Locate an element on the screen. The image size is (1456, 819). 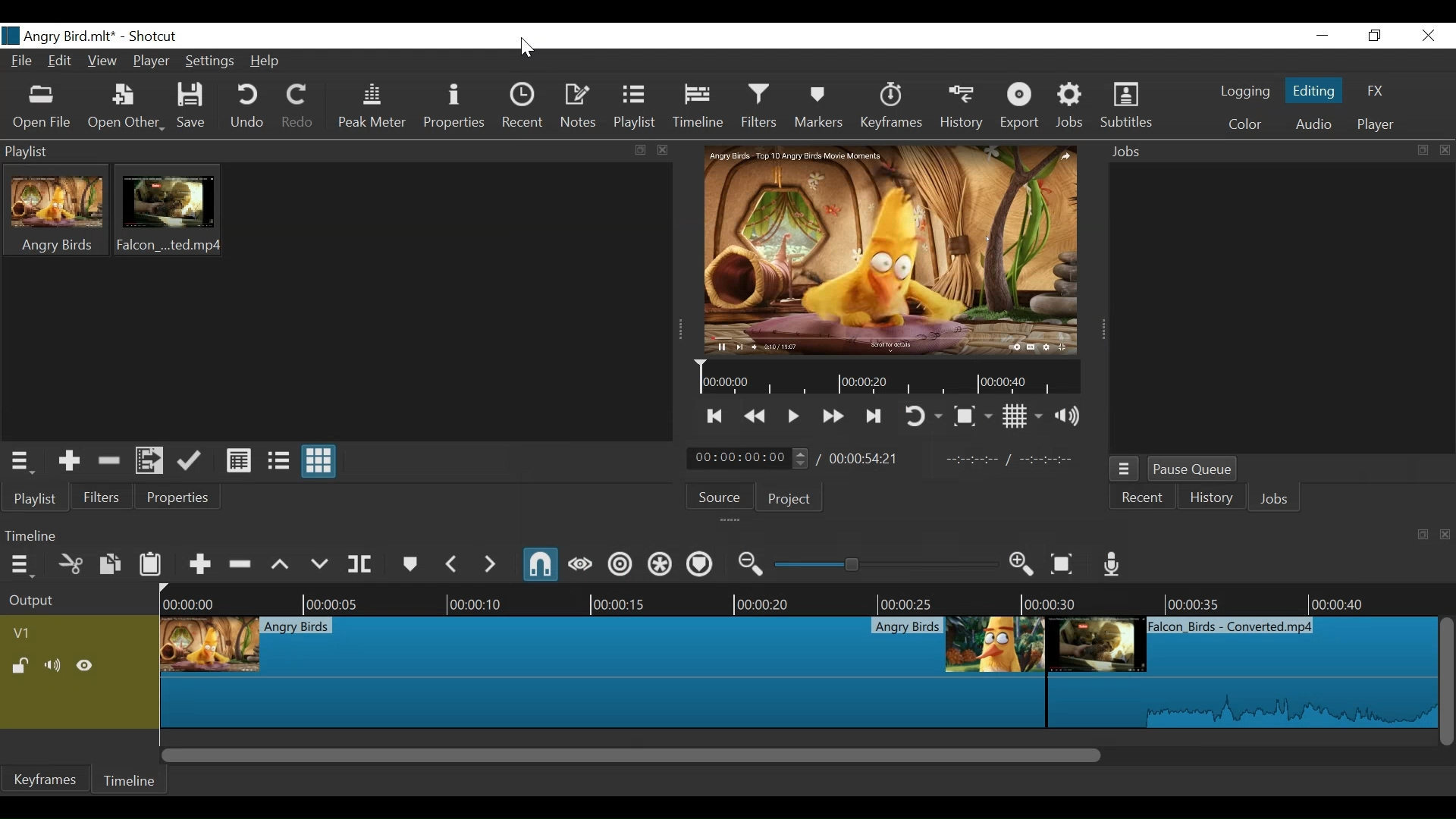
Open File is located at coordinates (42, 108).